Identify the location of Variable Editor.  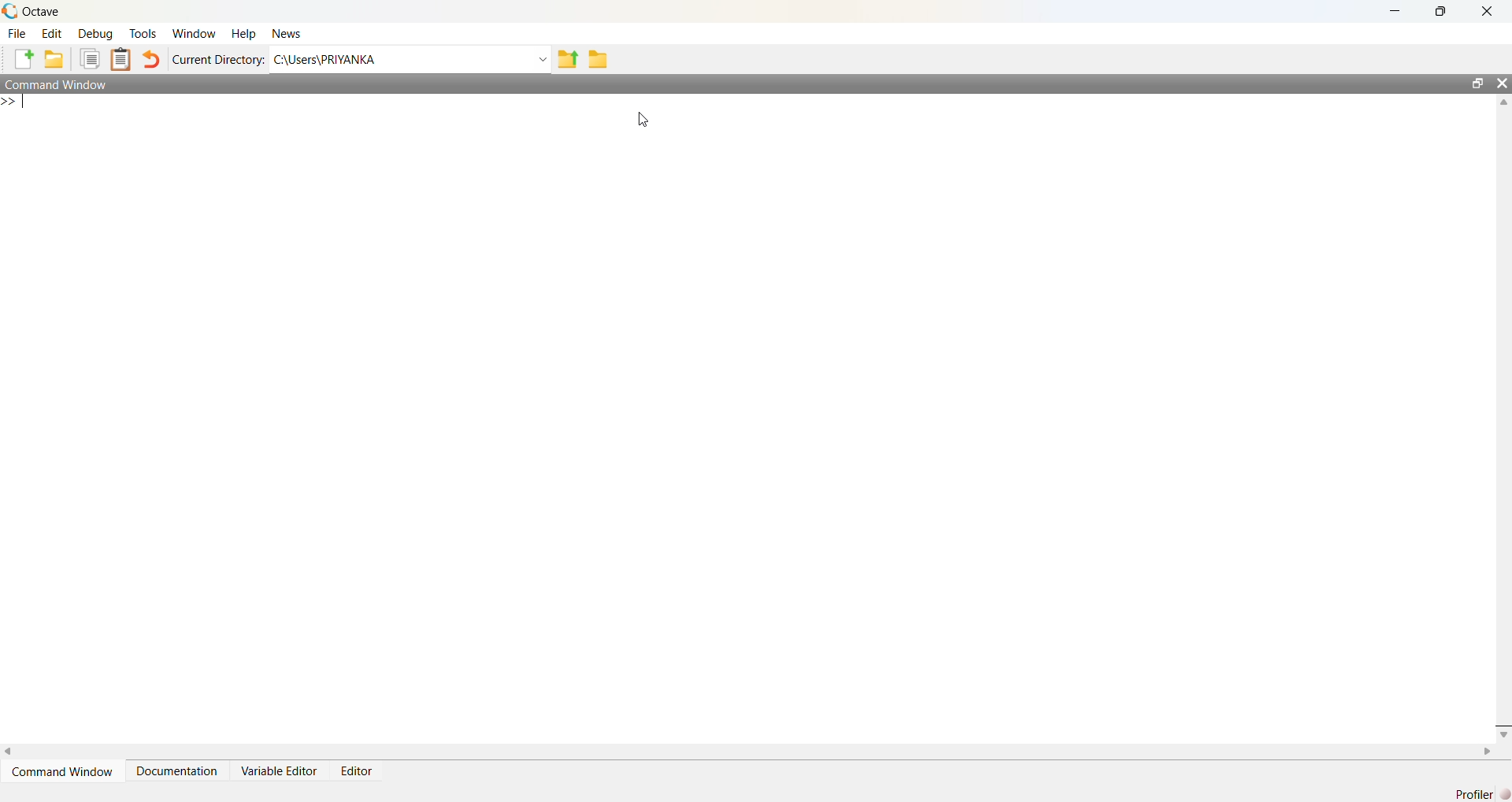
(278, 770).